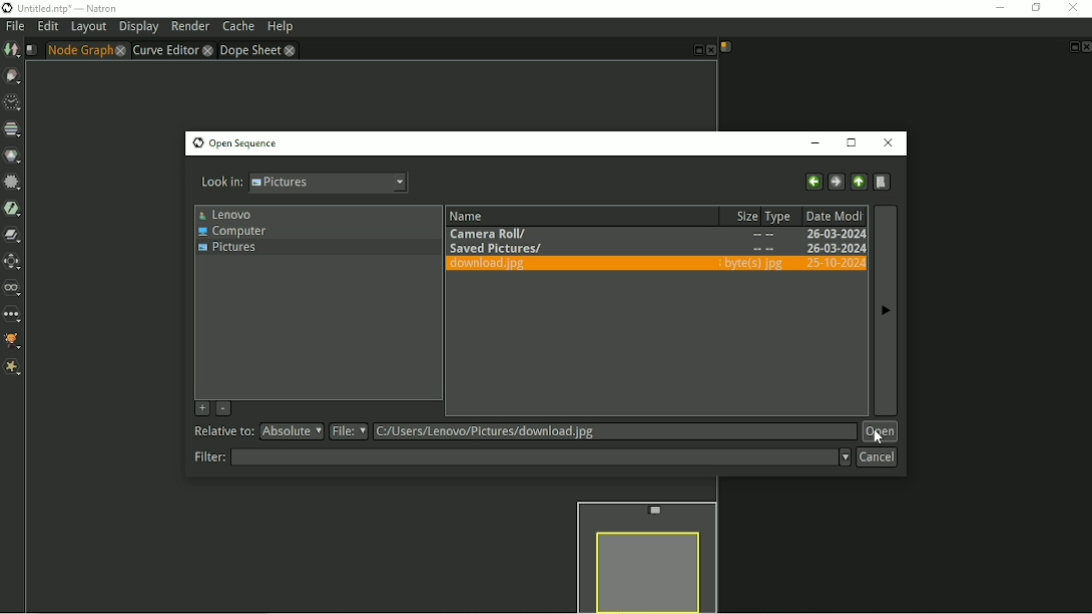  I want to click on Create a new directory here, so click(884, 181).